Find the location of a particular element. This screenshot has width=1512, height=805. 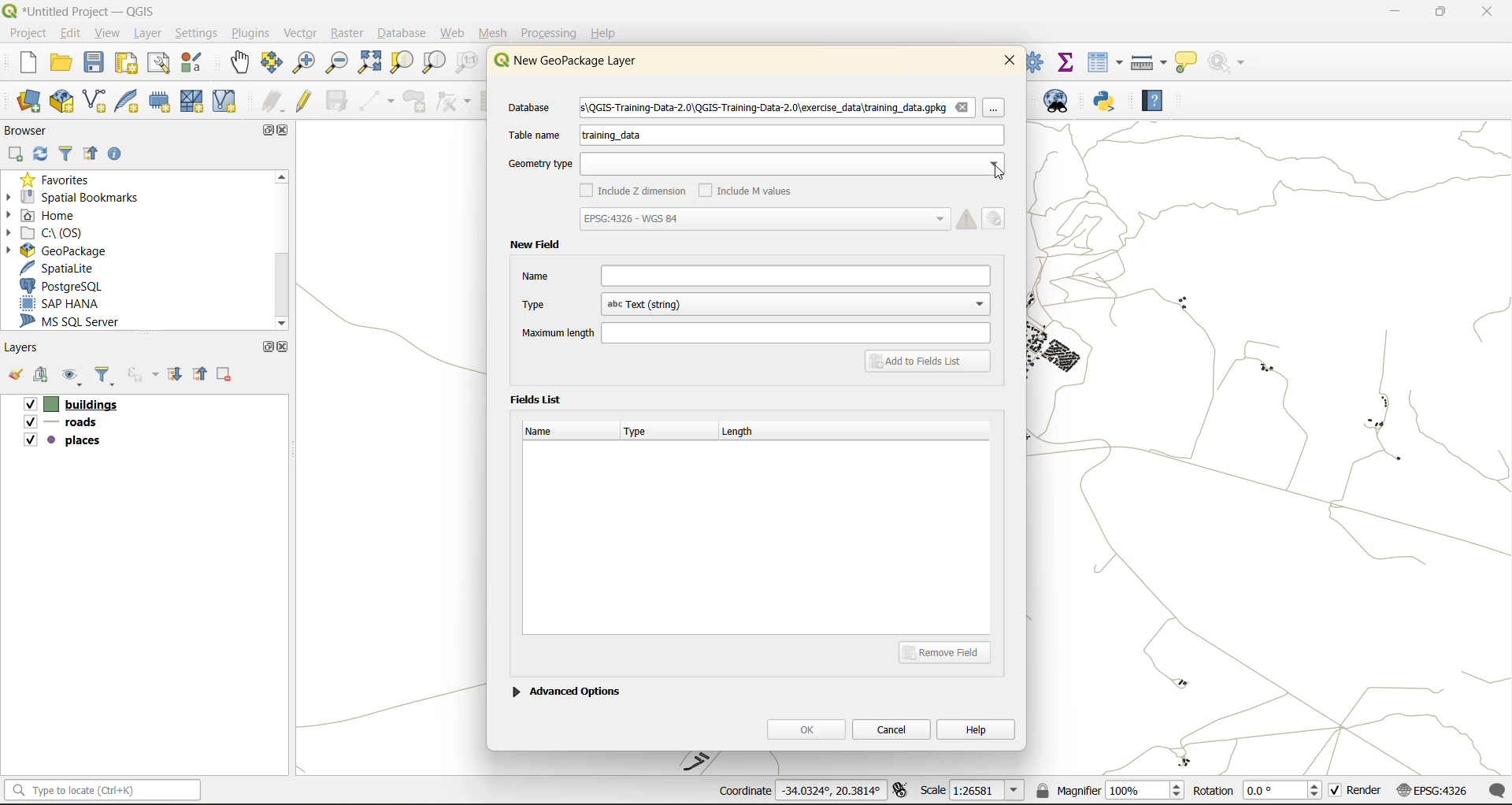

fields list is located at coordinates (539, 398).